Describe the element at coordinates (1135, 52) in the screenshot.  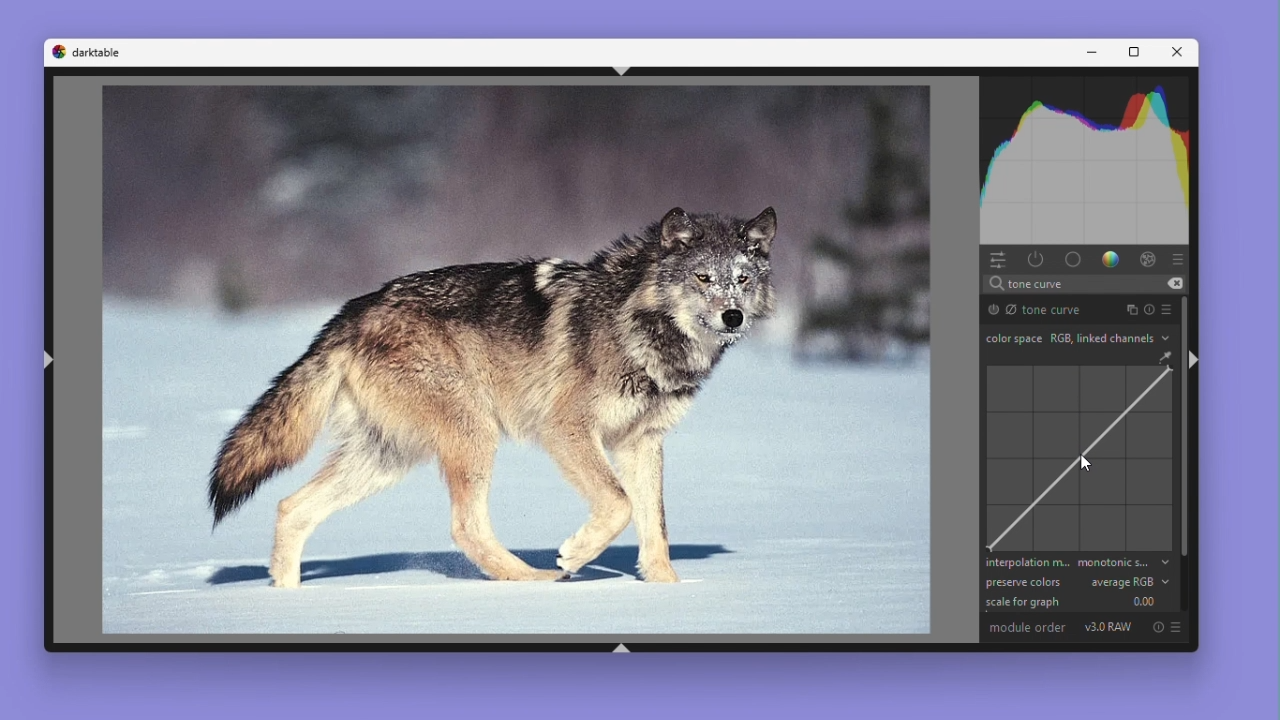
I see `Maximize` at that location.